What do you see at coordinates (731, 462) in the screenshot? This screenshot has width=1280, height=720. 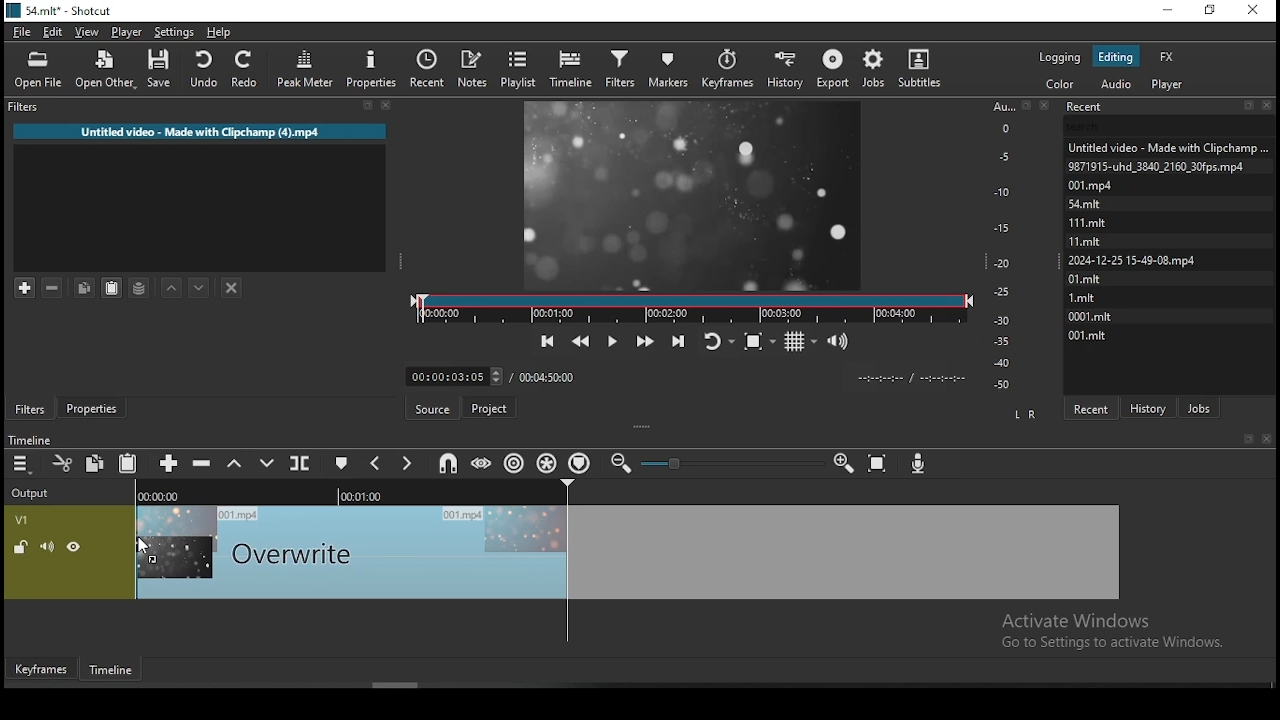 I see `zoom in or zoom out bar` at bounding box center [731, 462].